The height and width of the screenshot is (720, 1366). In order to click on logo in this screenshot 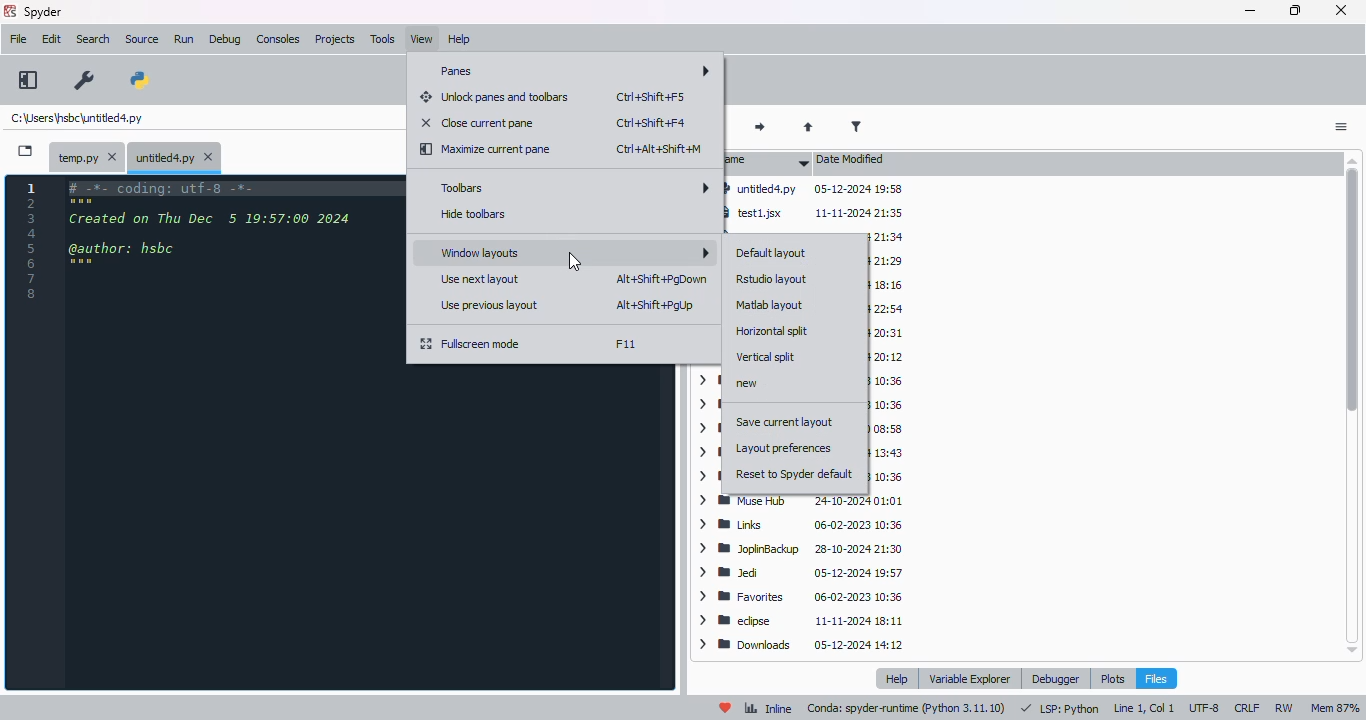, I will do `click(10, 11)`.